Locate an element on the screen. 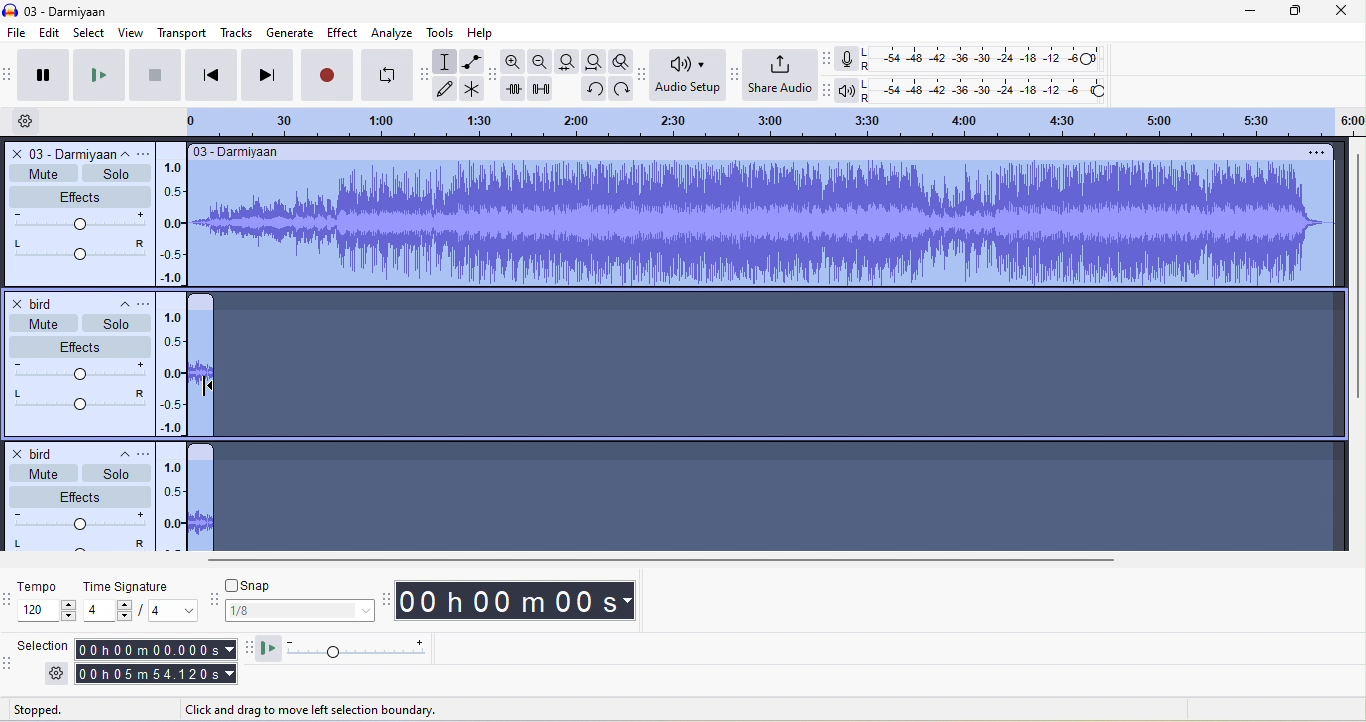 This screenshot has height=722, width=1366. audacity time selection toolbar is located at coordinates (9, 598).